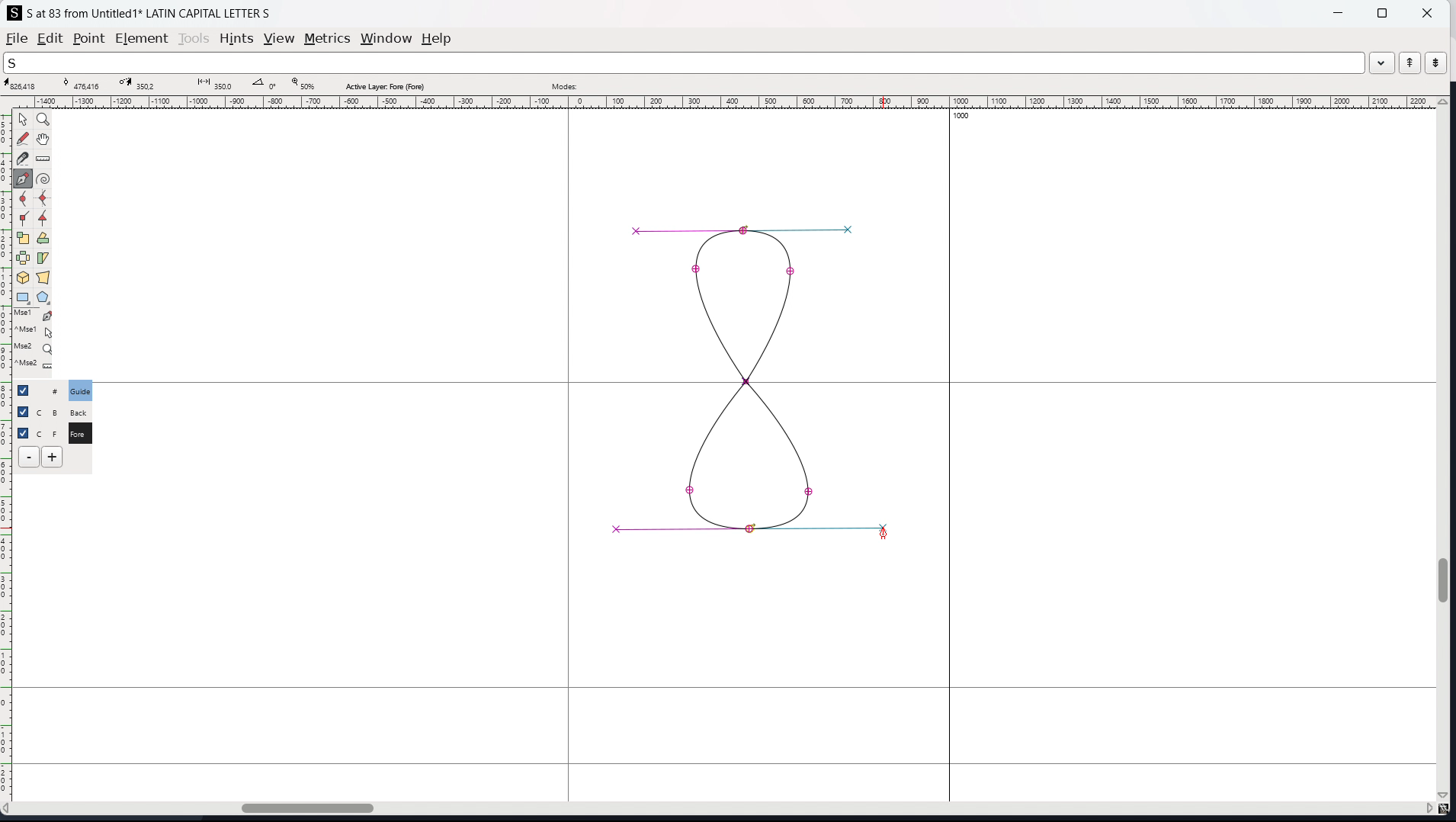 Image resolution: width=1456 pixels, height=822 pixels. I want to click on curve point coordinate, so click(86, 84).